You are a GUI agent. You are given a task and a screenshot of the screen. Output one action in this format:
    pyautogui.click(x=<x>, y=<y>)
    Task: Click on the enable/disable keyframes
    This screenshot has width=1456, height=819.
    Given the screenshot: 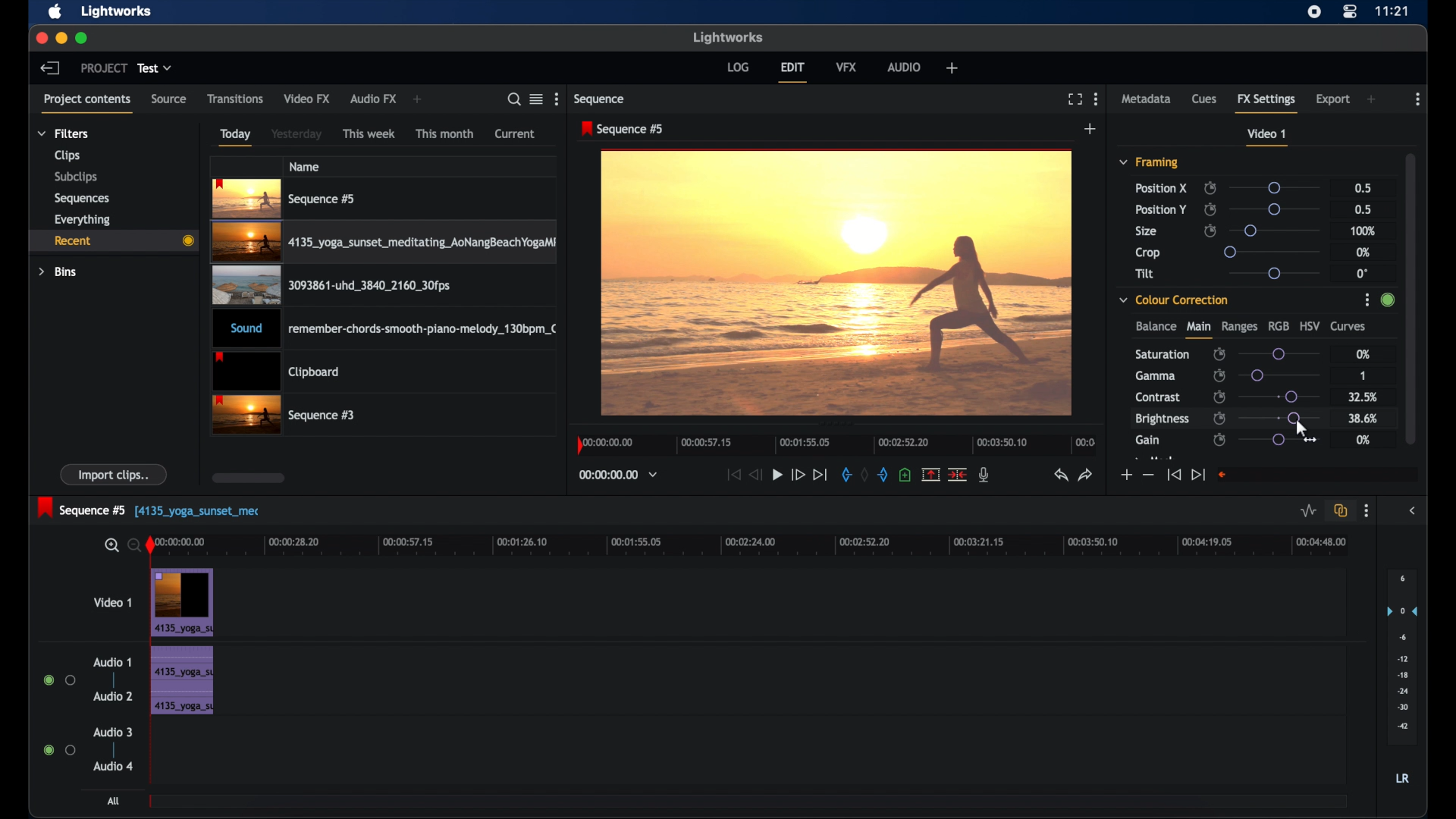 What is the action you would take?
    pyautogui.click(x=1219, y=441)
    